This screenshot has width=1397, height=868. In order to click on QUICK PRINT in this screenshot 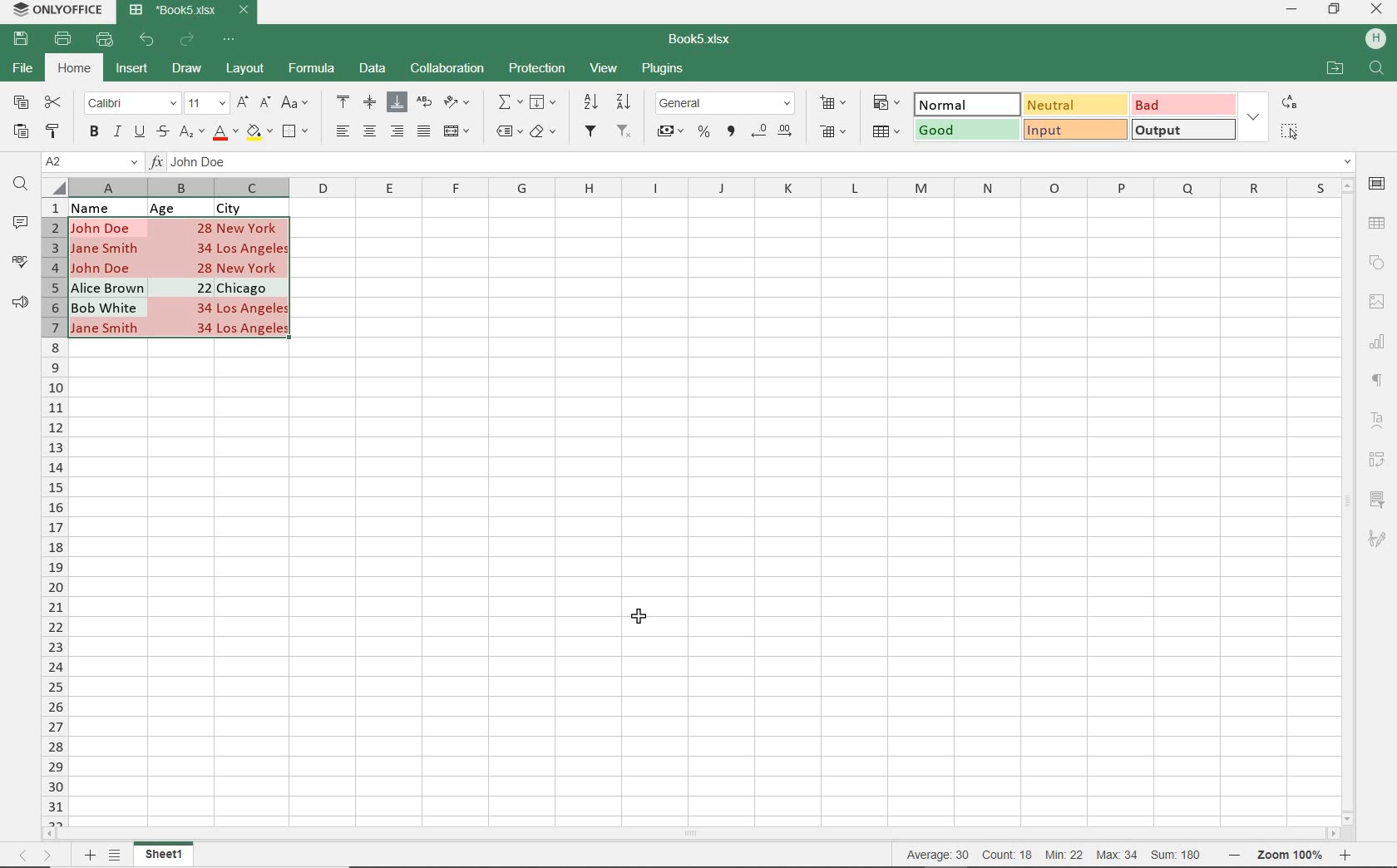, I will do `click(105, 40)`.